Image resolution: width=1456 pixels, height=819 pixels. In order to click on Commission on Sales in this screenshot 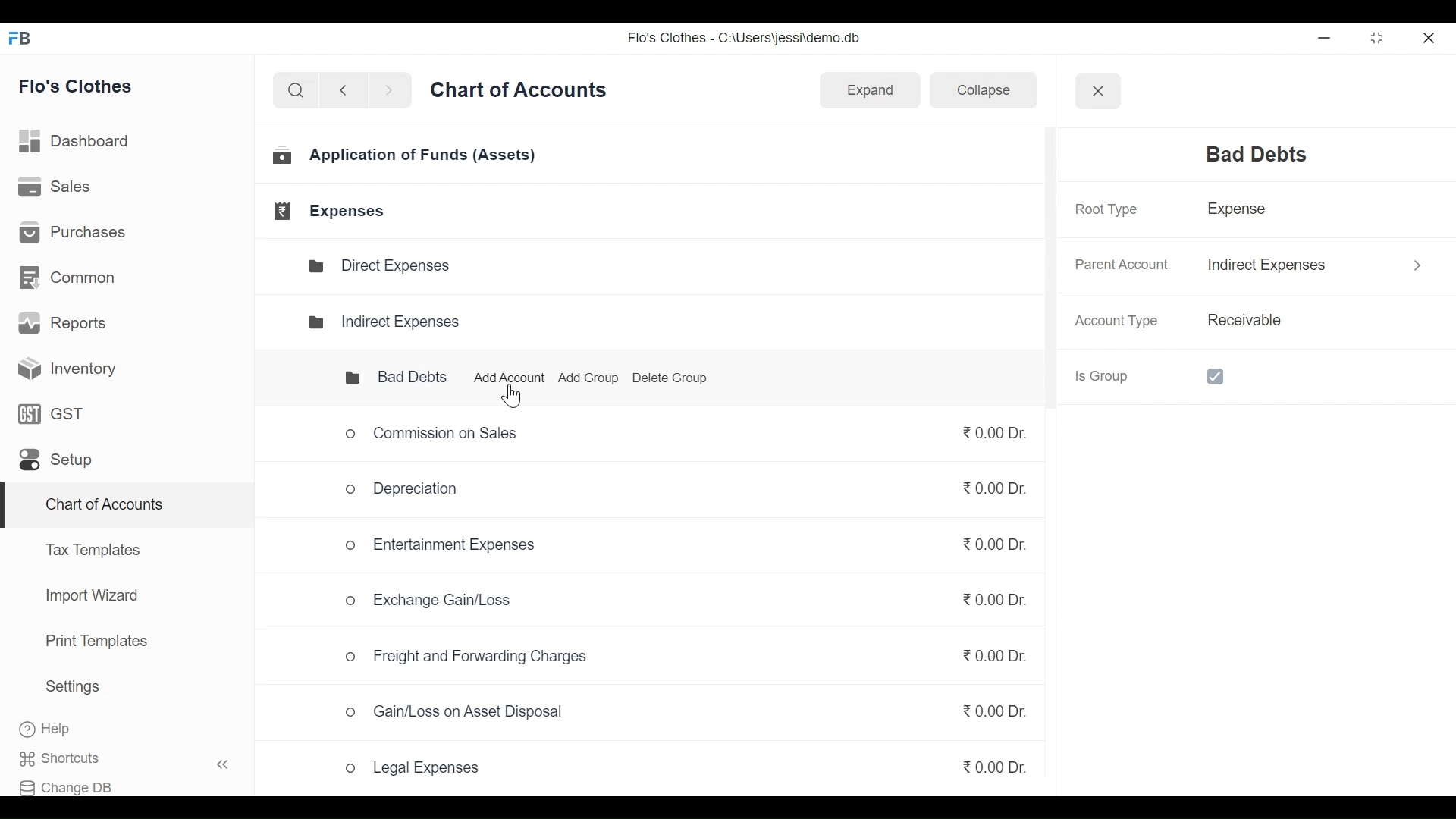, I will do `click(429, 436)`.